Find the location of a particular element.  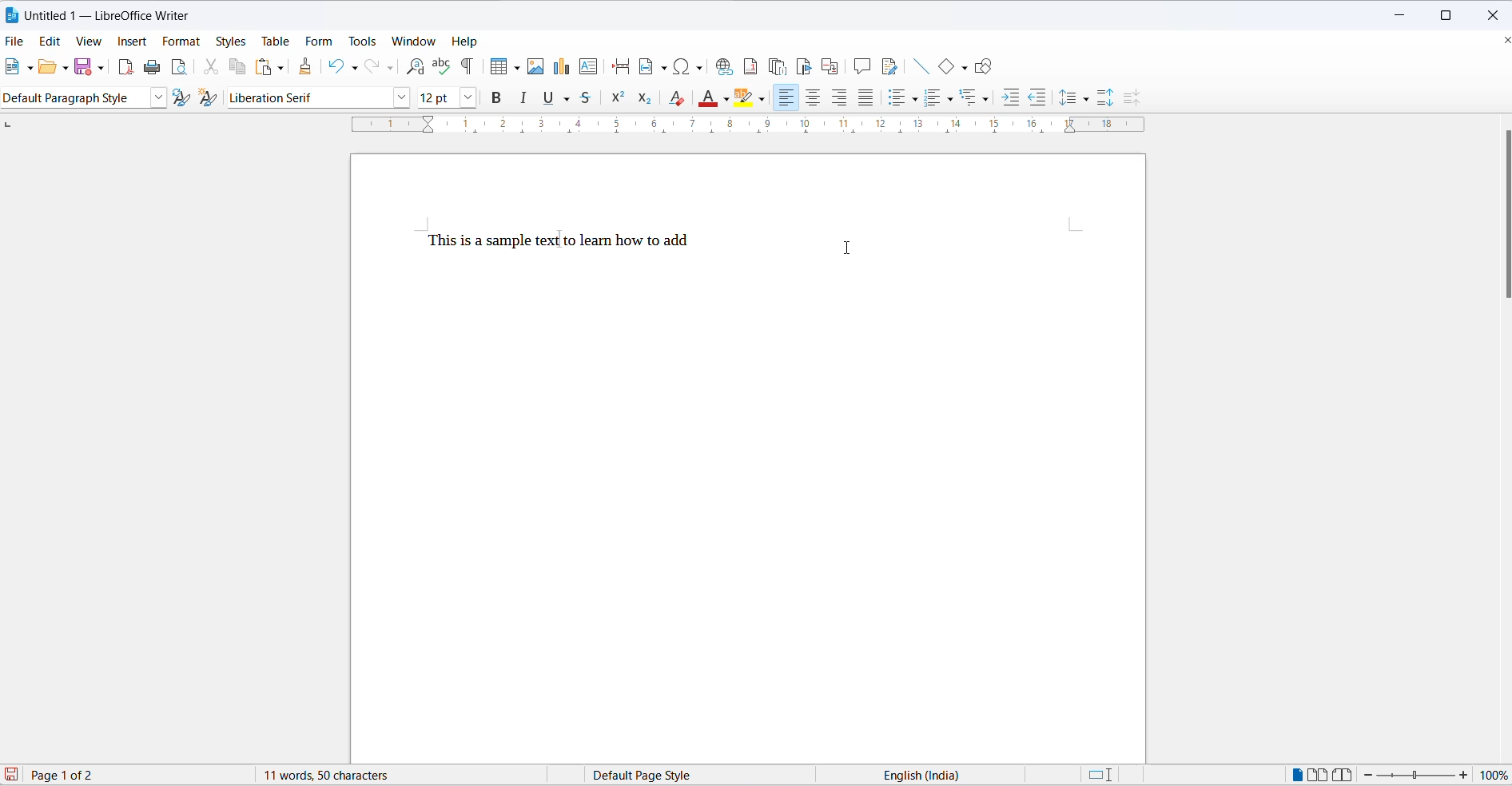

paste options is located at coordinates (281, 68).